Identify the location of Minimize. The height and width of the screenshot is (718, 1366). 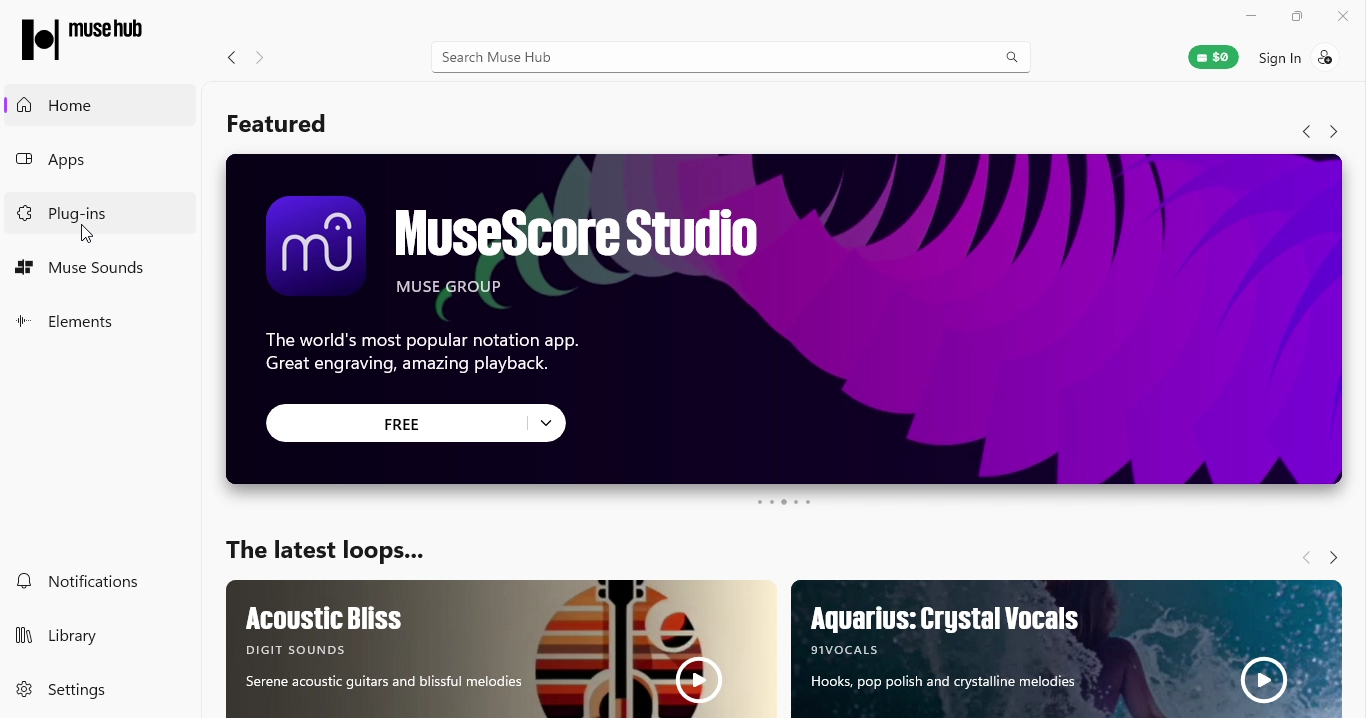
(1248, 13).